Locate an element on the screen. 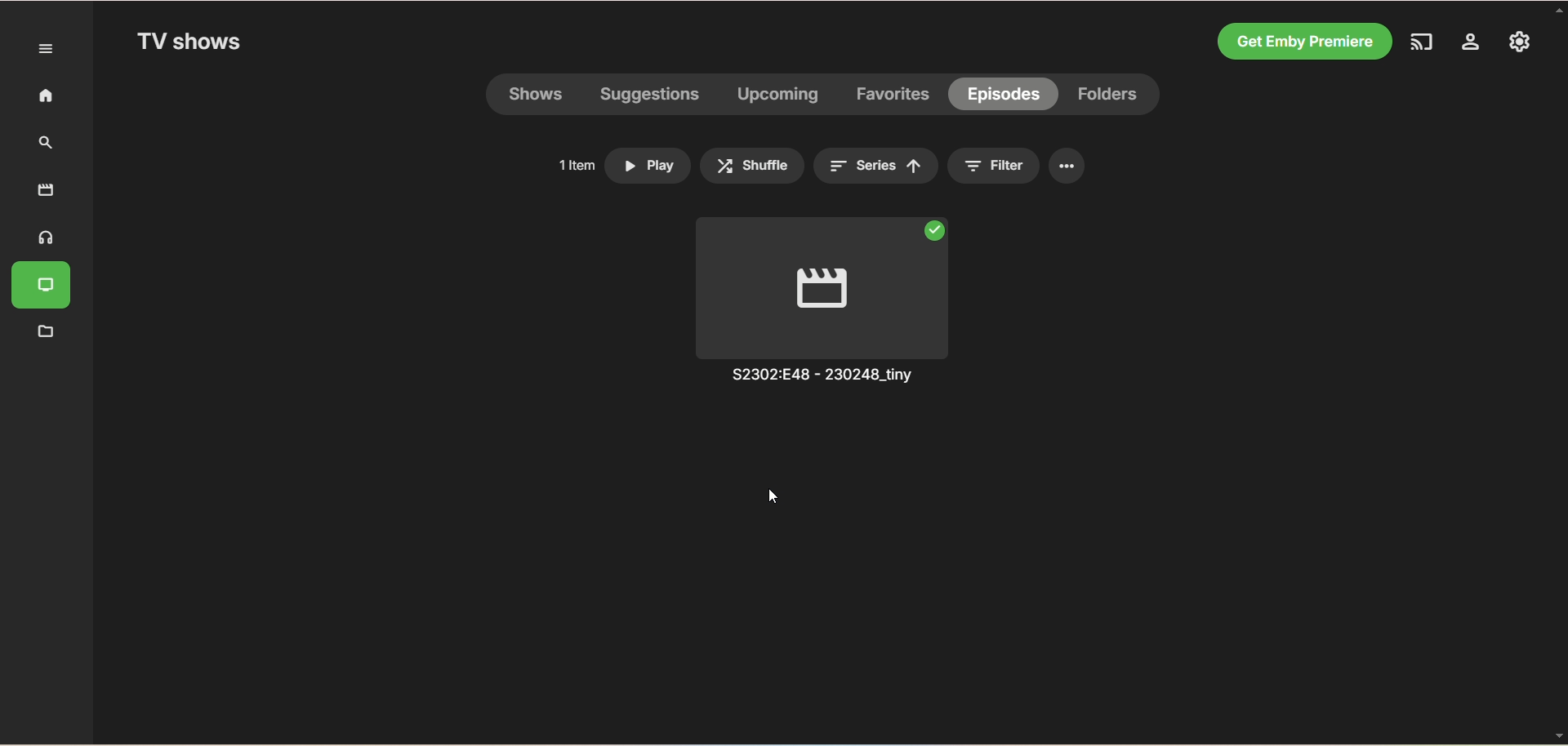 The height and width of the screenshot is (746, 1568). TV shows is located at coordinates (45, 287).